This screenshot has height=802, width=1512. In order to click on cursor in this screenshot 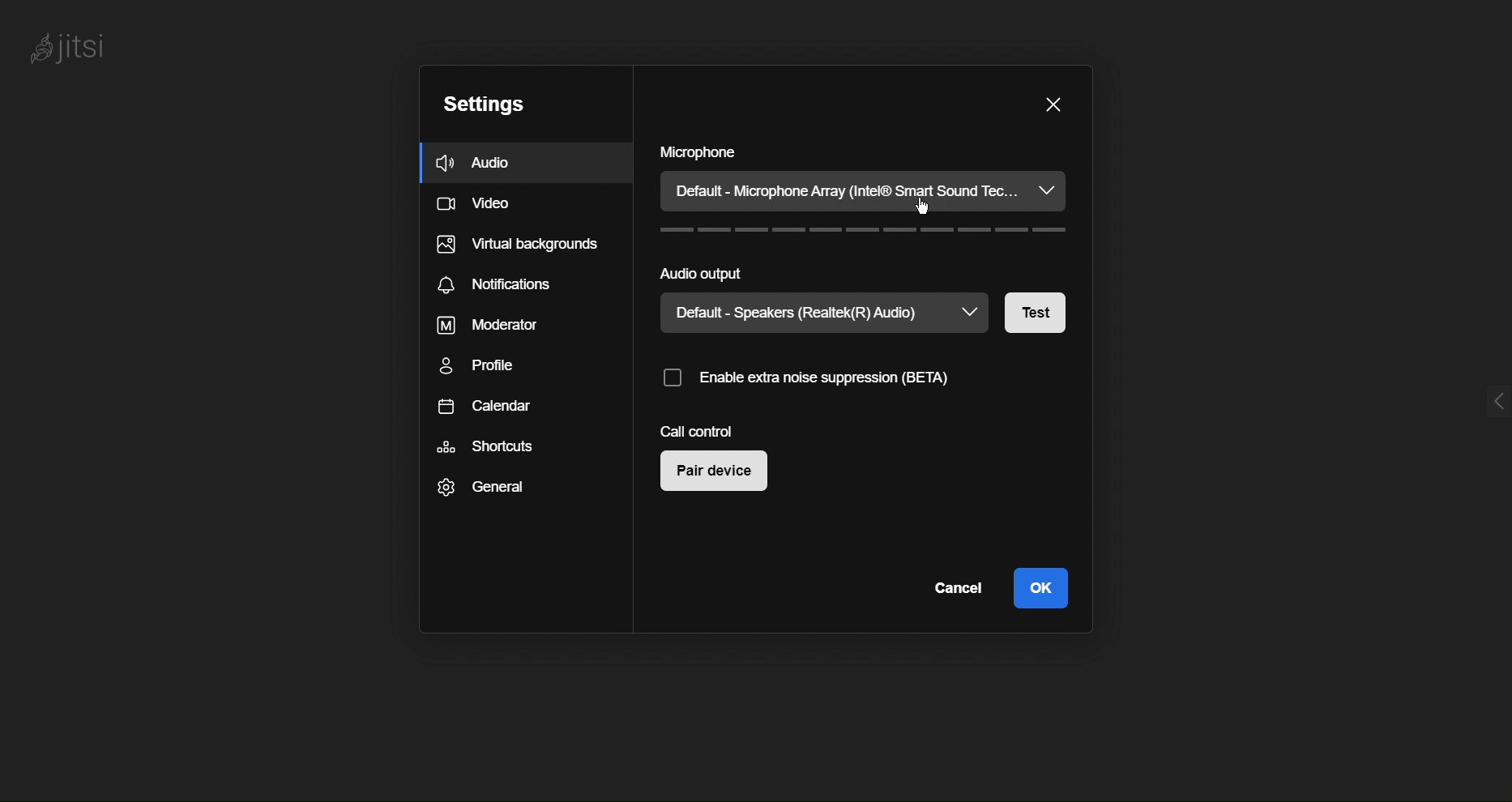, I will do `click(928, 211)`.